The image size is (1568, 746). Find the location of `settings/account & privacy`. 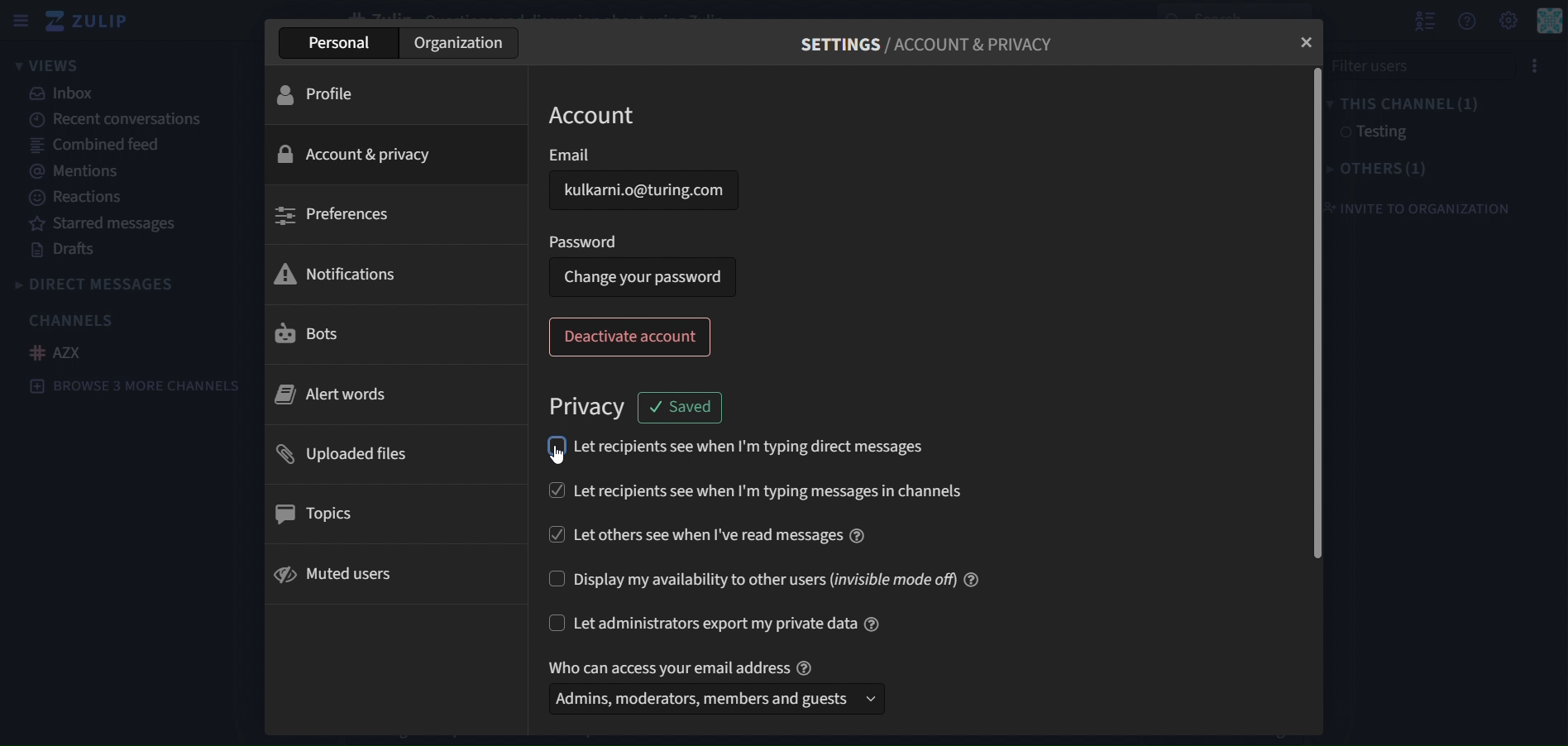

settings/account & privacy is located at coordinates (923, 41).